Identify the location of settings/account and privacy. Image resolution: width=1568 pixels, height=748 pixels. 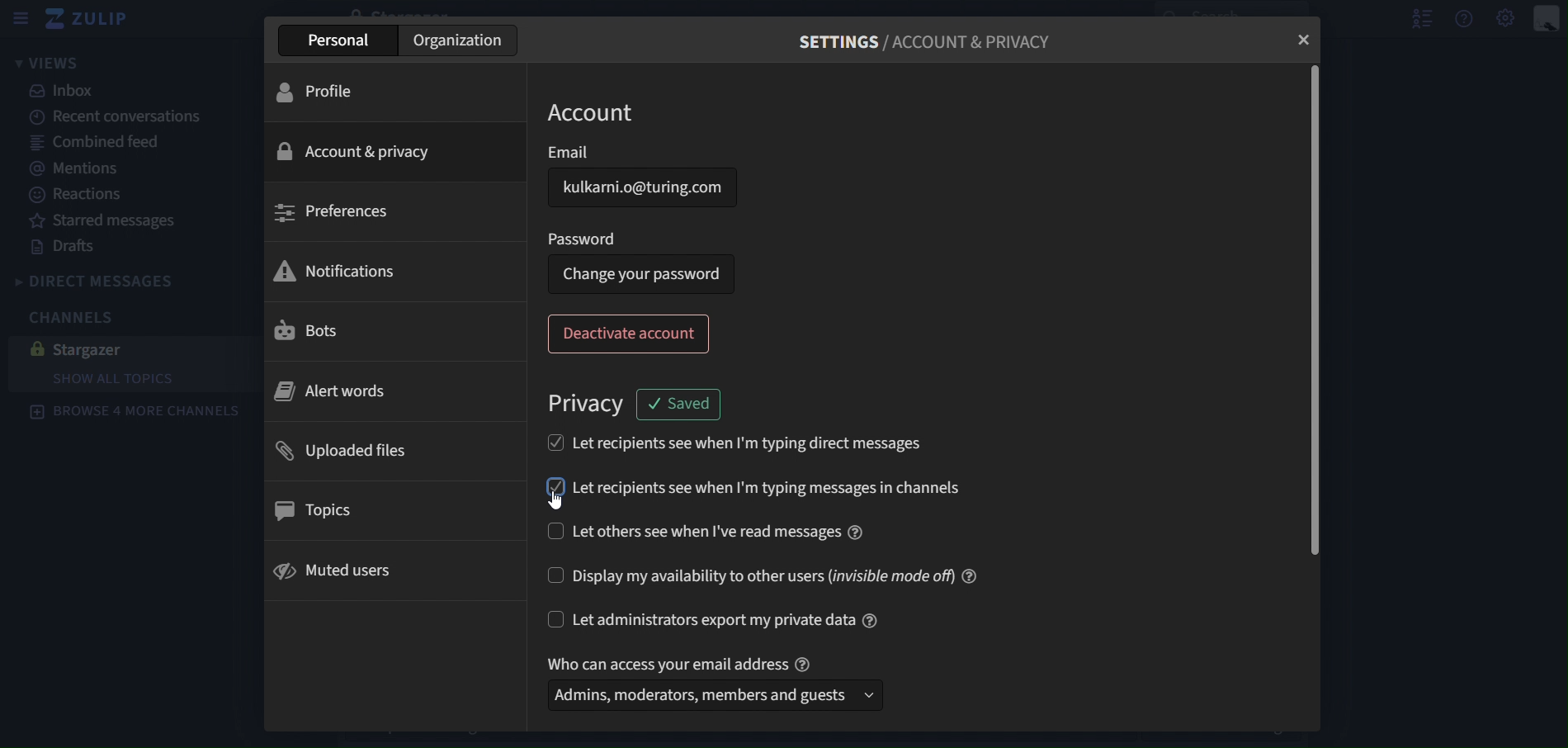
(949, 40).